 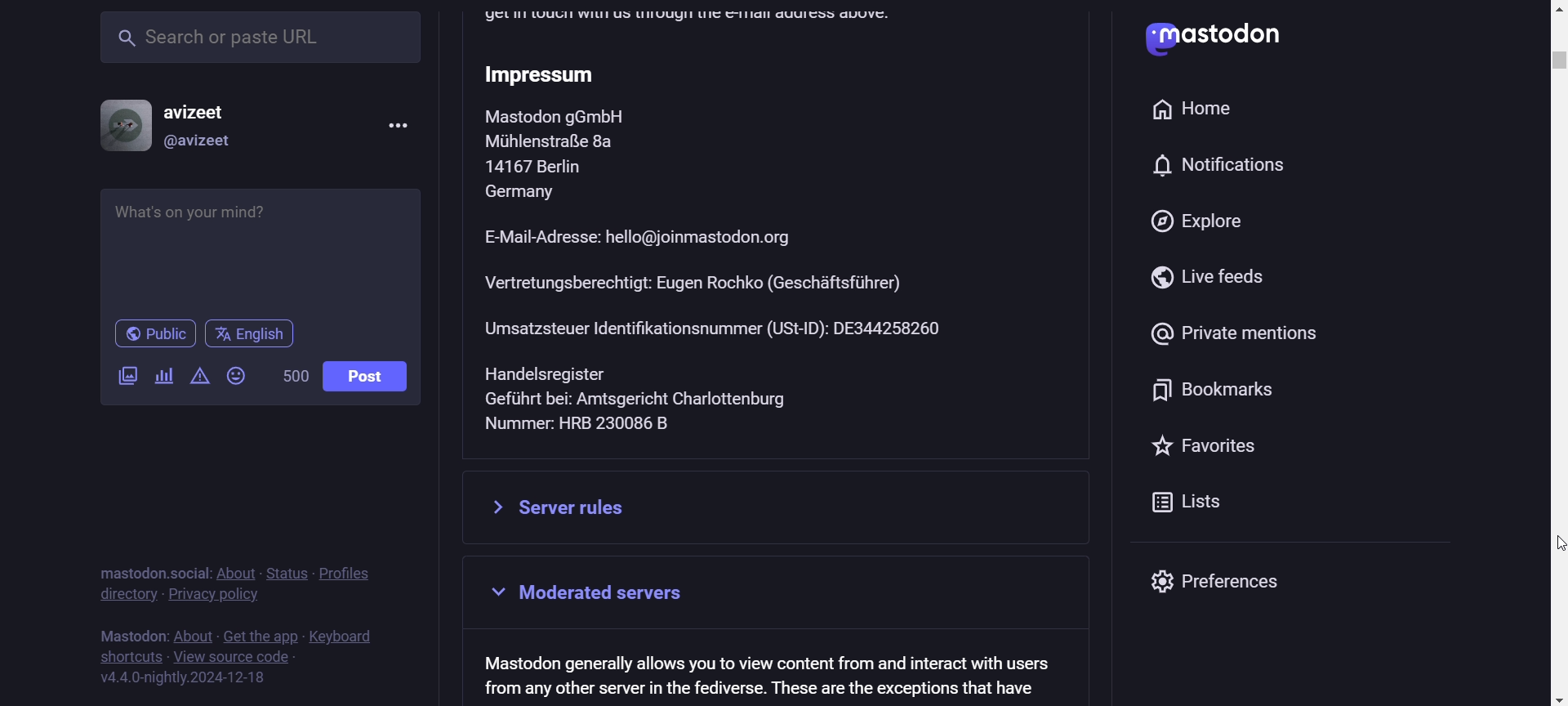 I want to click on Scroll Up, so click(x=1549, y=10).